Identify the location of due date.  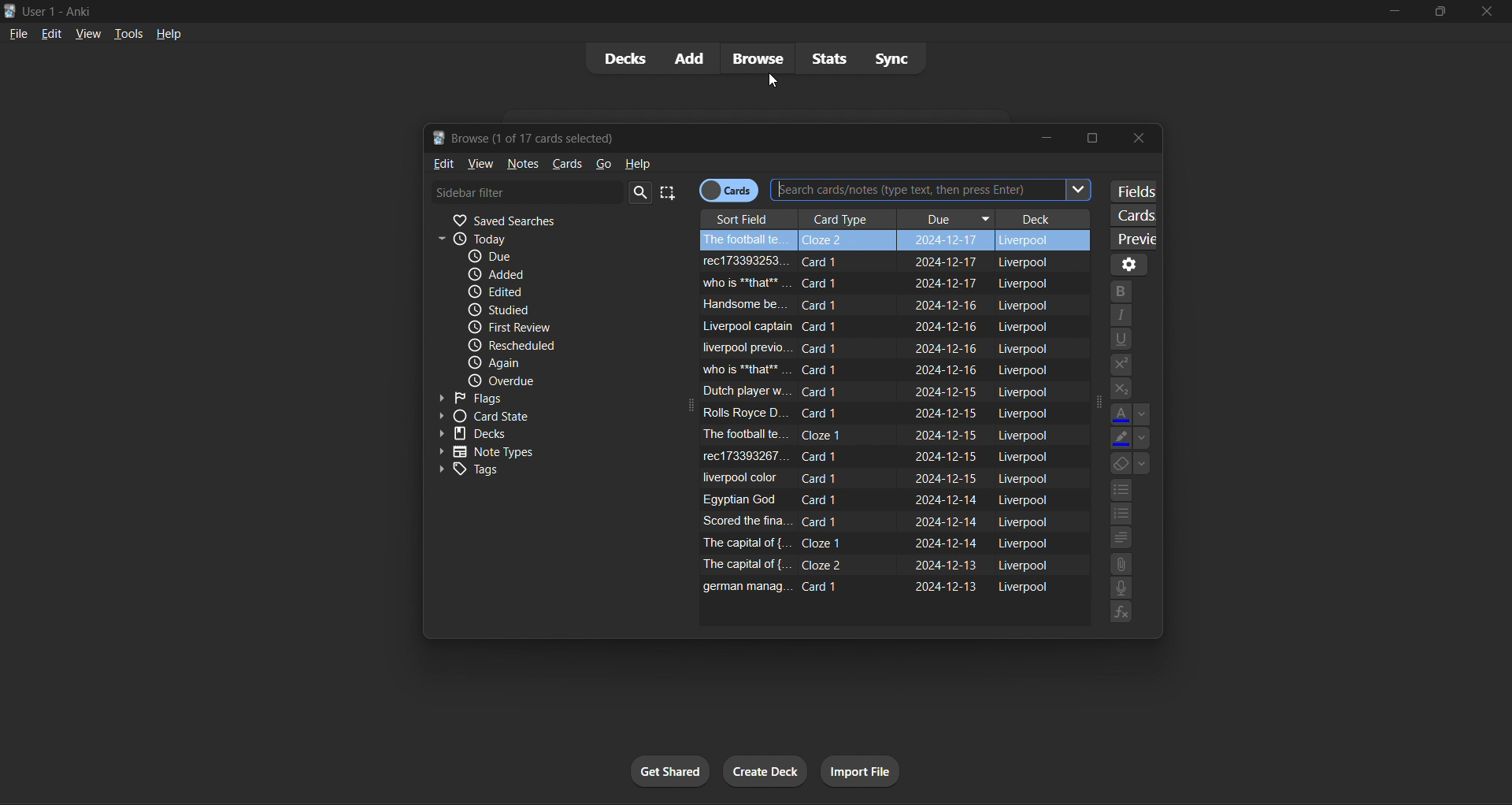
(949, 262).